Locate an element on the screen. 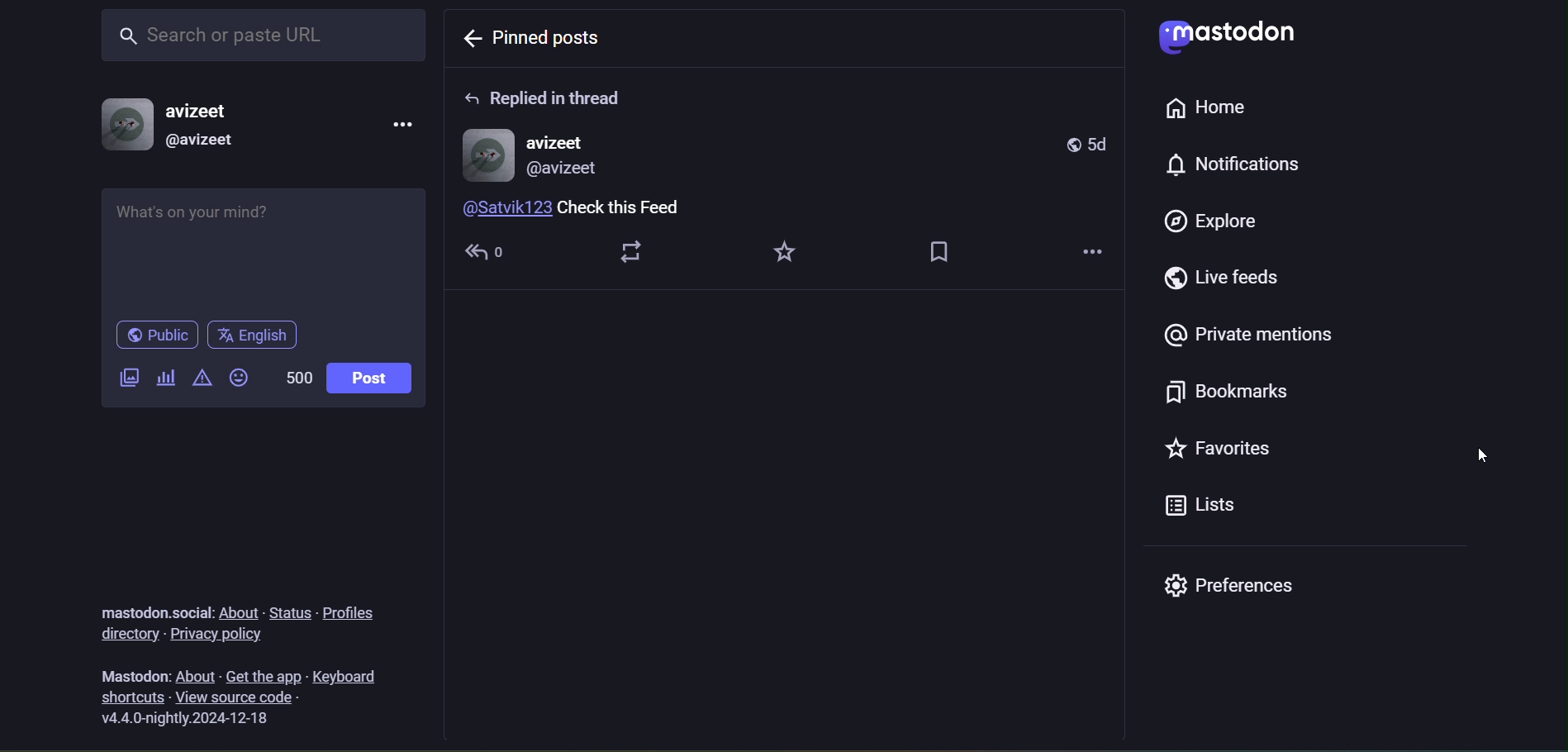  keyboard is located at coordinates (367, 674).